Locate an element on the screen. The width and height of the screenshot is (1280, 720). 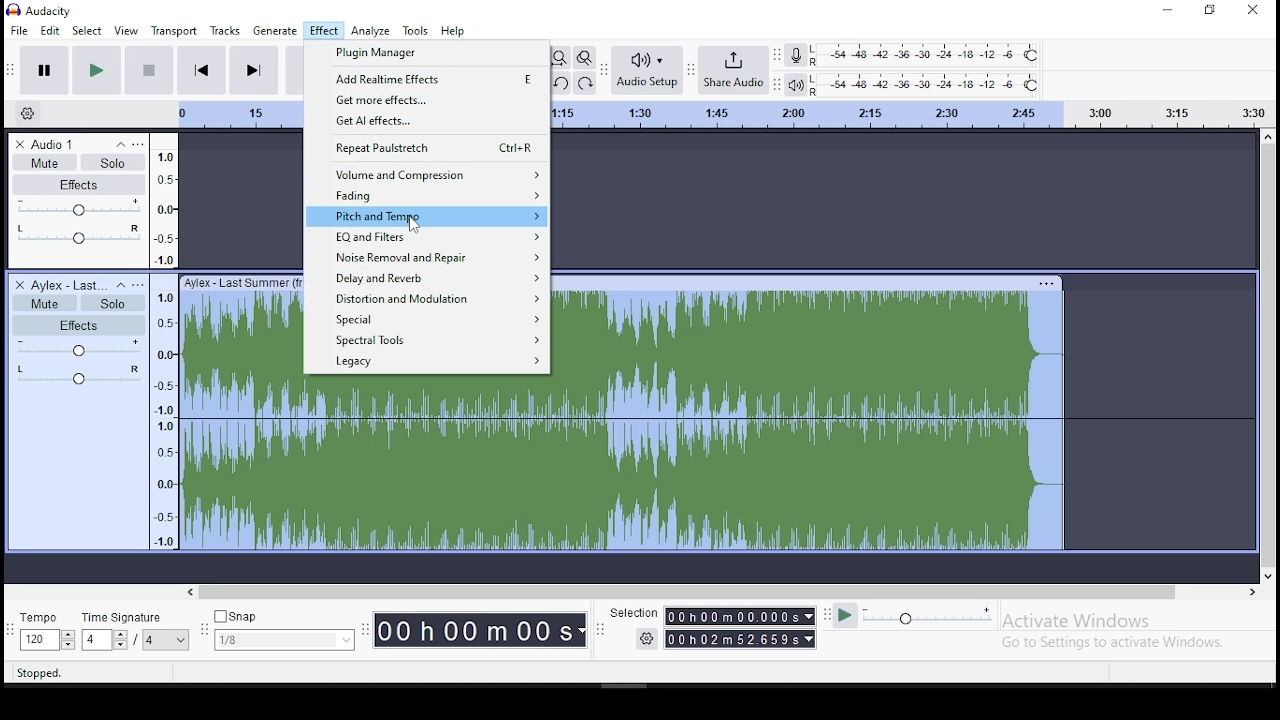
effects is located at coordinates (80, 325).